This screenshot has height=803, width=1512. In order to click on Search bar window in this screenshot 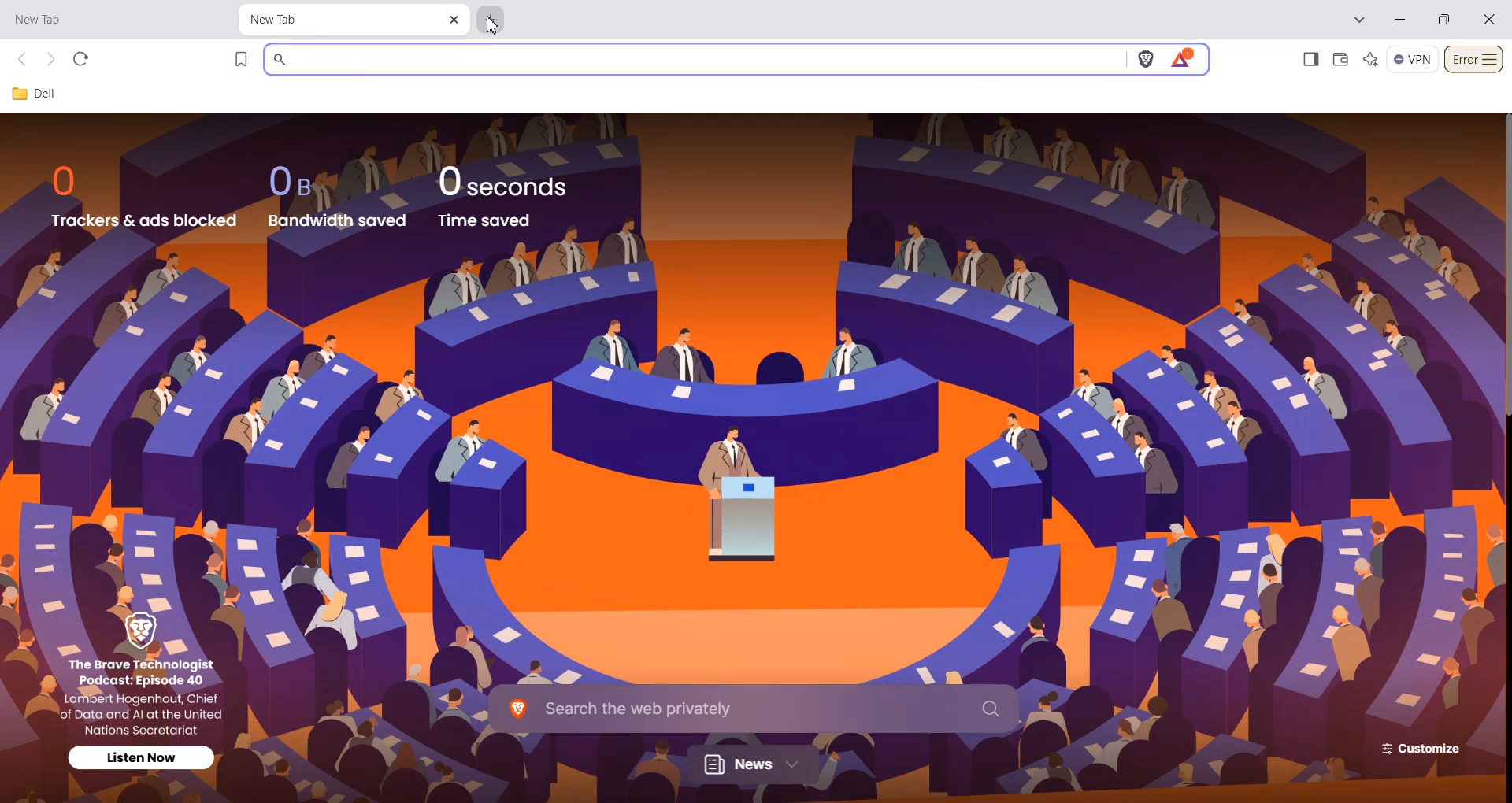, I will do `click(693, 59)`.